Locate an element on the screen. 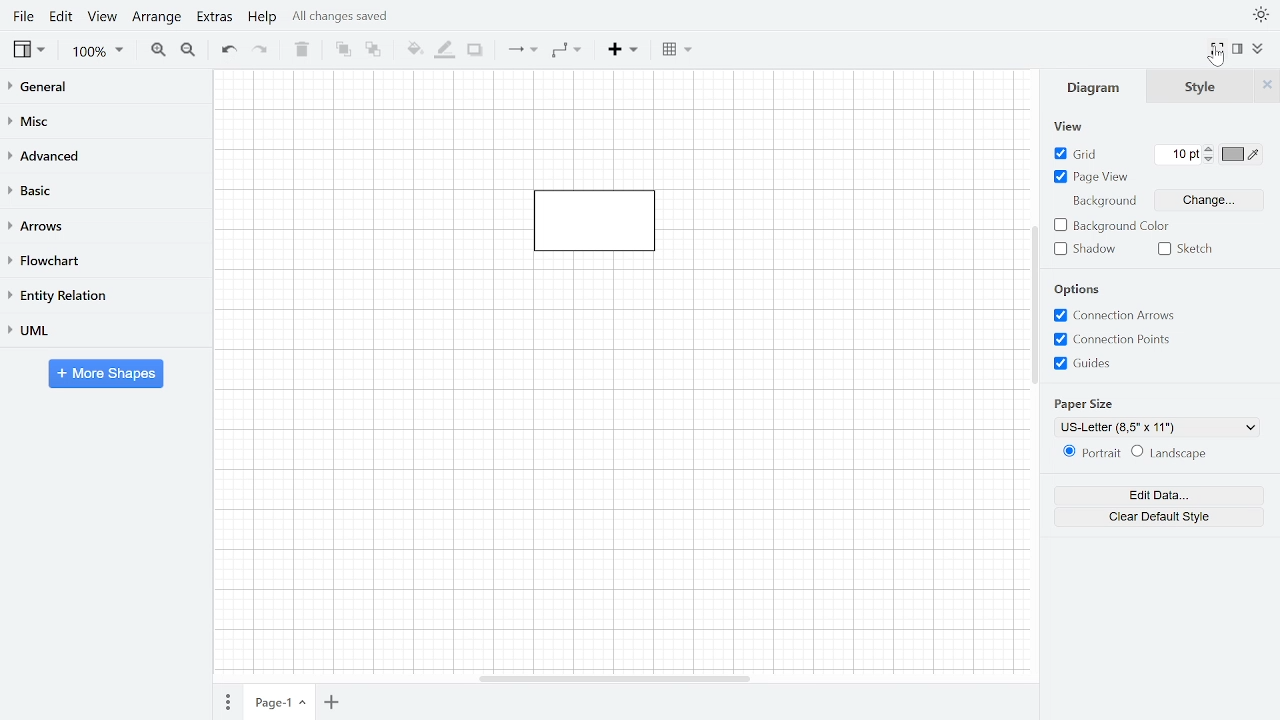  Fill line is located at coordinates (444, 51).